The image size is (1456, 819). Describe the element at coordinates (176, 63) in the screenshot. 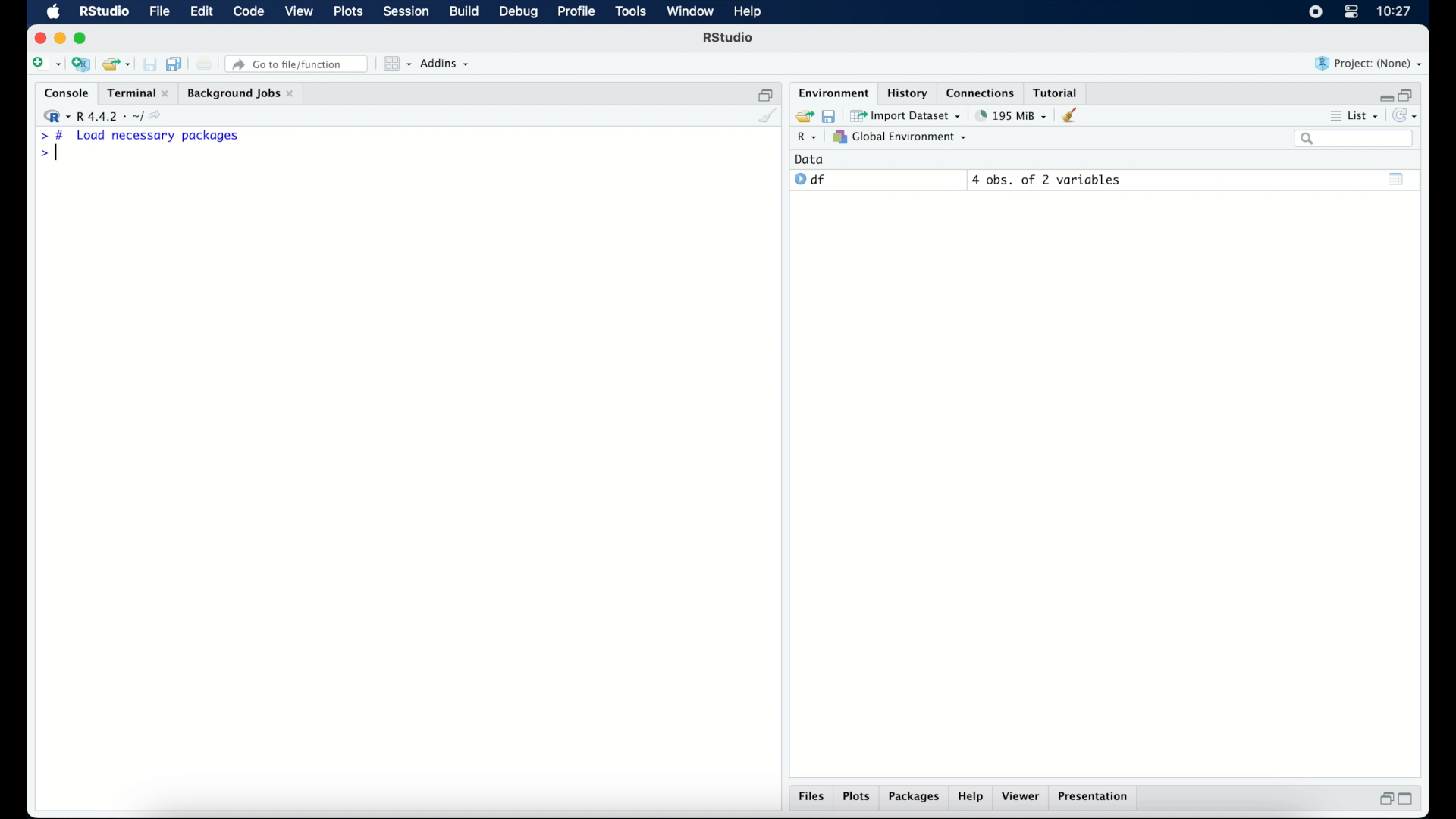

I see `save all documents ` at that location.